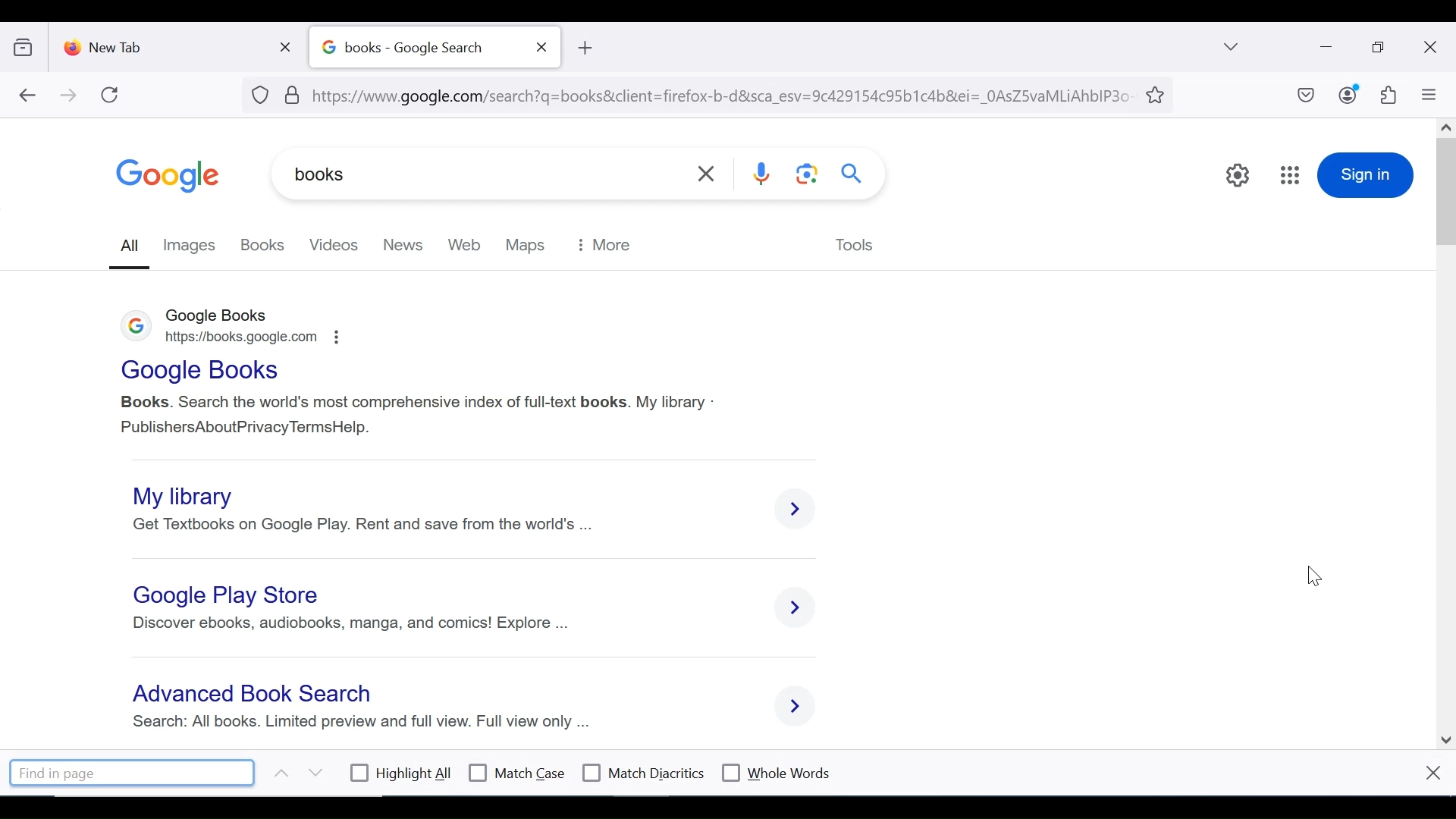  What do you see at coordinates (855, 246) in the screenshot?
I see `tools` at bounding box center [855, 246].